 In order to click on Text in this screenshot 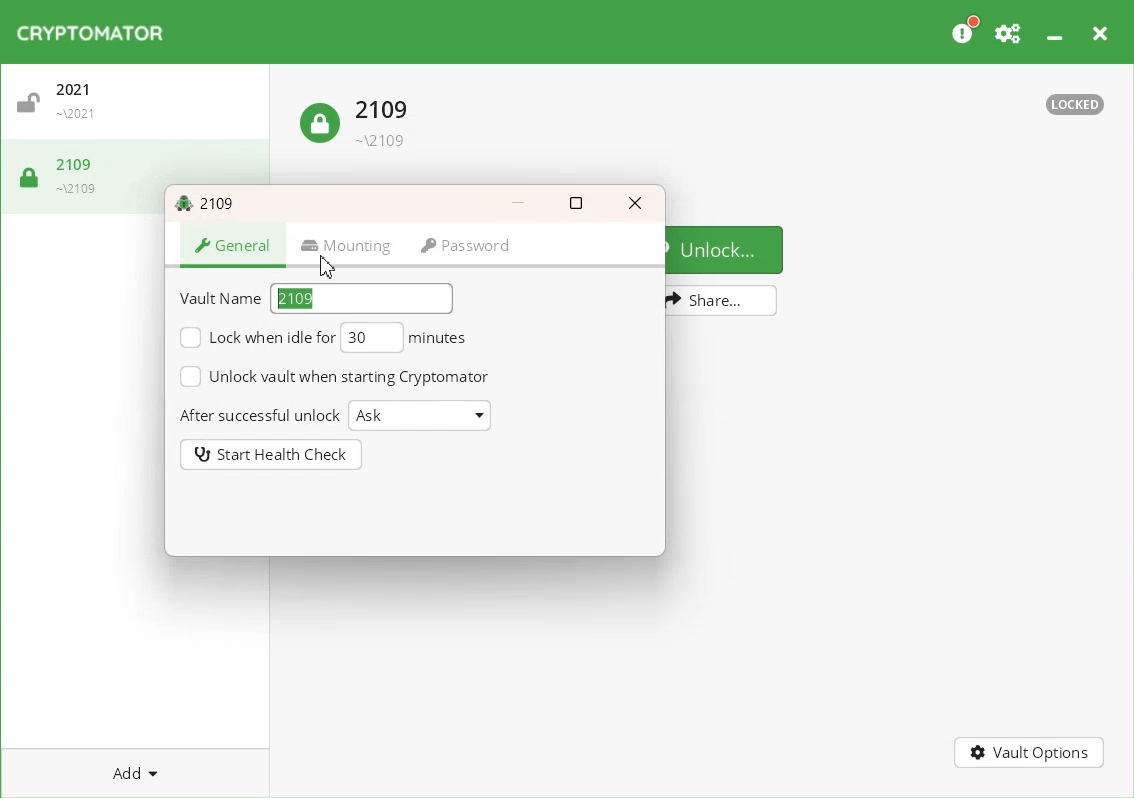, I will do `click(209, 201)`.